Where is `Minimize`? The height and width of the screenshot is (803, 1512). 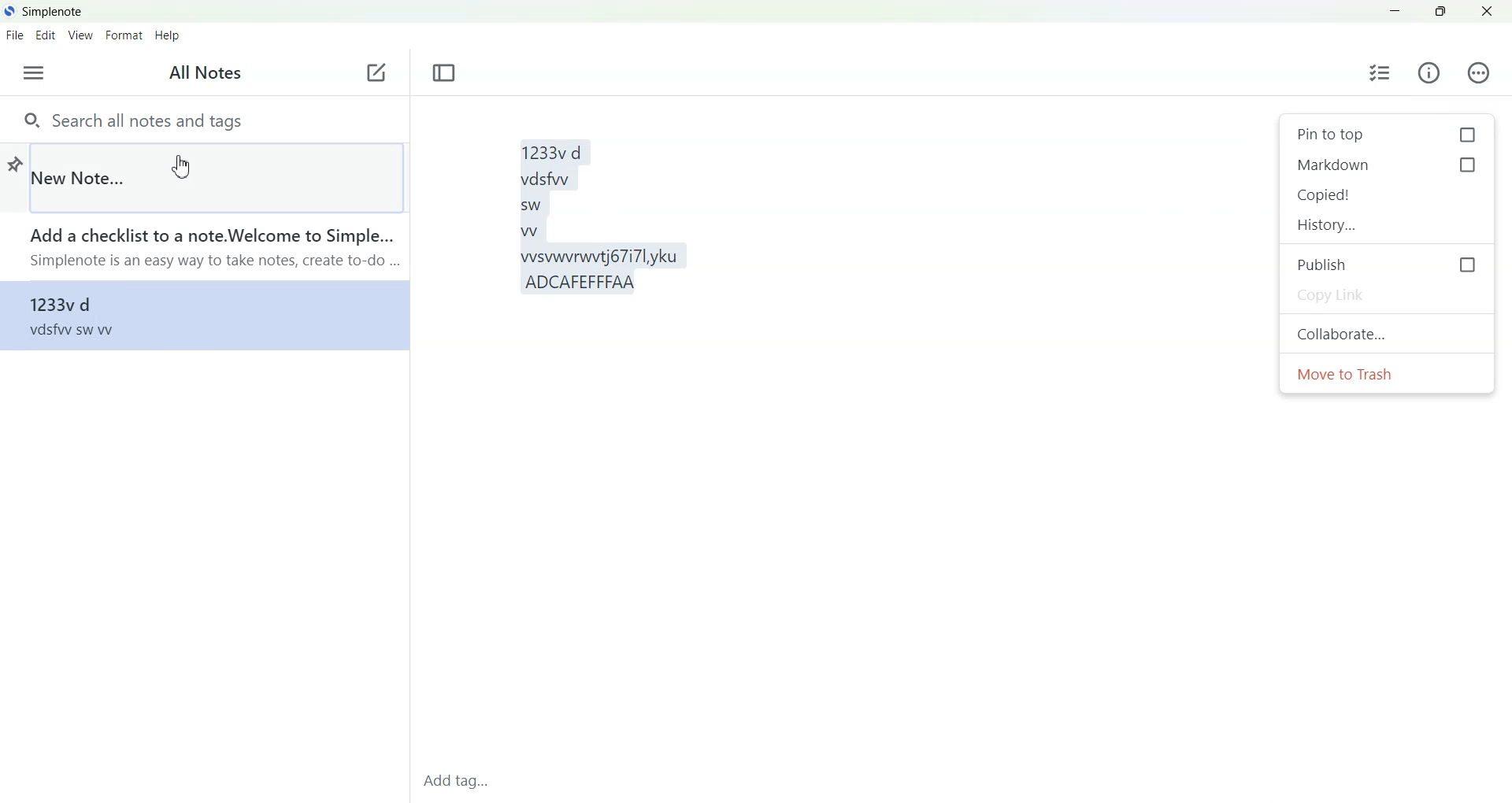
Minimize is located at coordinates (1395, 12).